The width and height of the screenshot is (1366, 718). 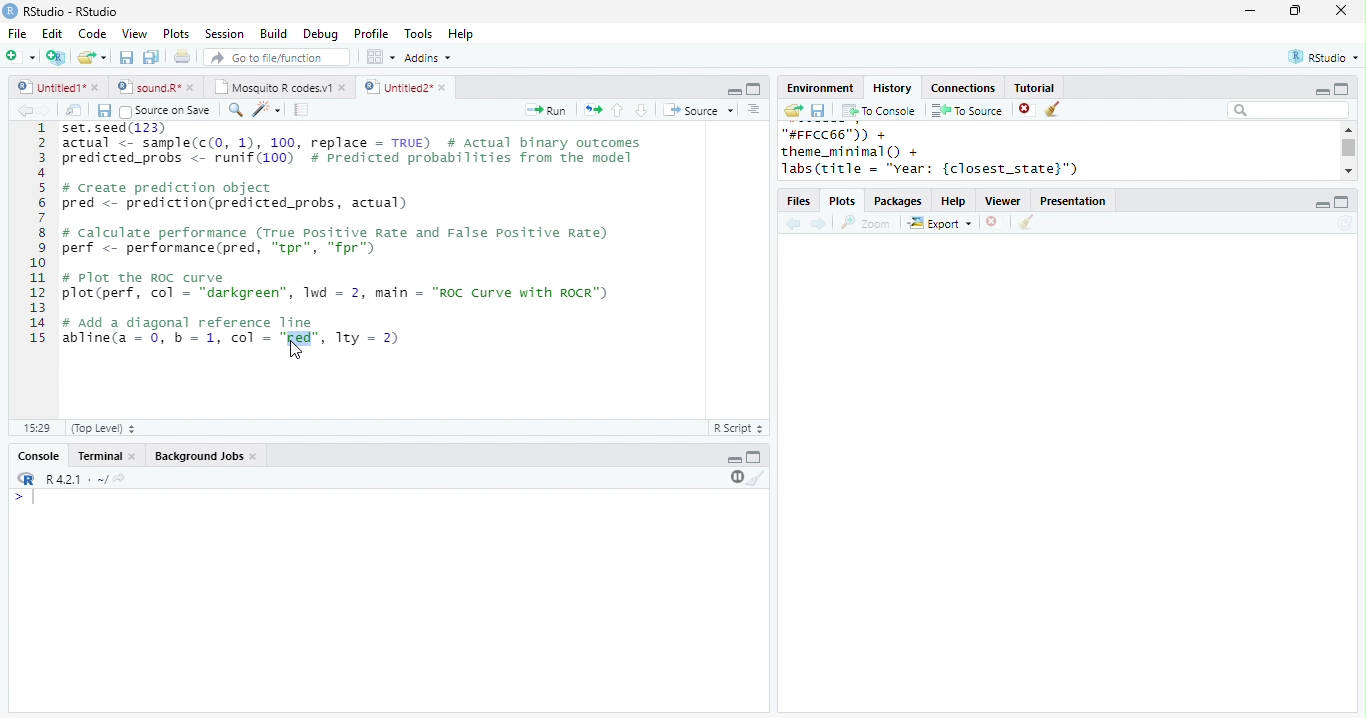 What do you see at coordinates (73, 480) in the screenshot?
I see `R 4.2.1 .~/` at bounding box center [73, 480].